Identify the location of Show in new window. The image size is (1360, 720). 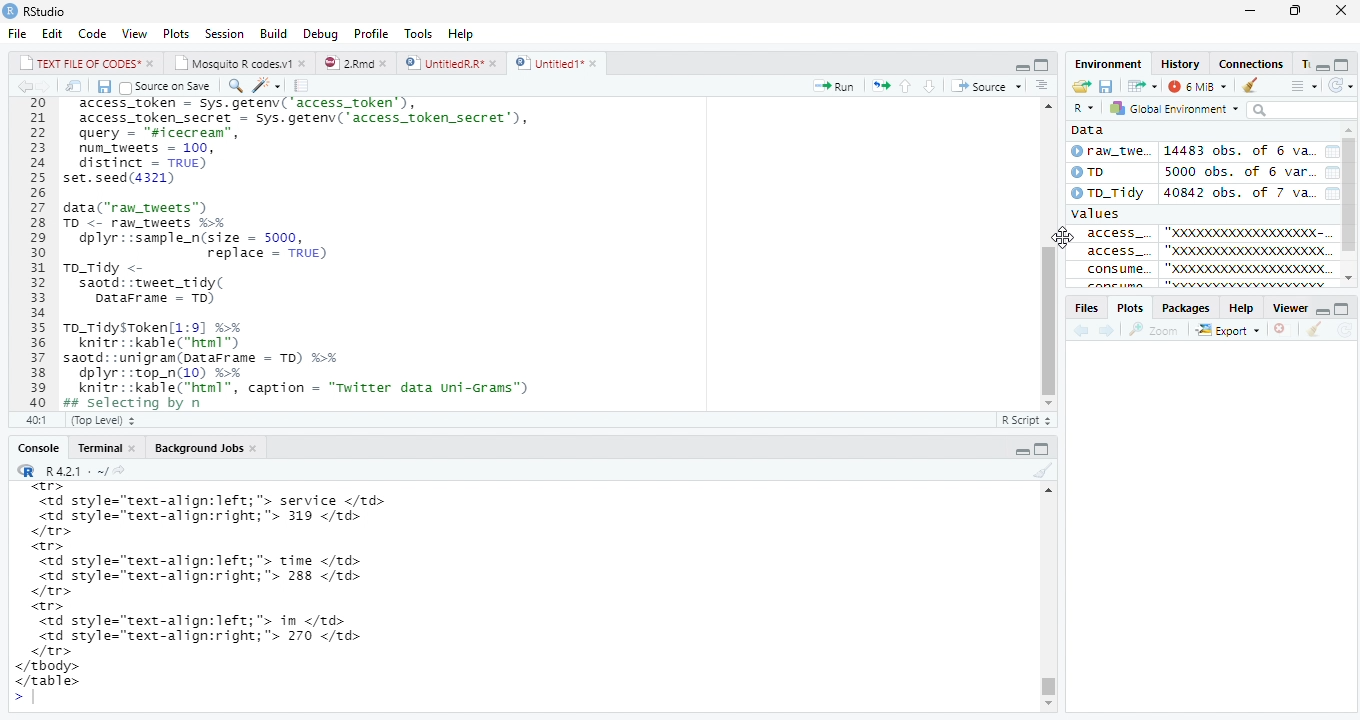
(1137, 86).